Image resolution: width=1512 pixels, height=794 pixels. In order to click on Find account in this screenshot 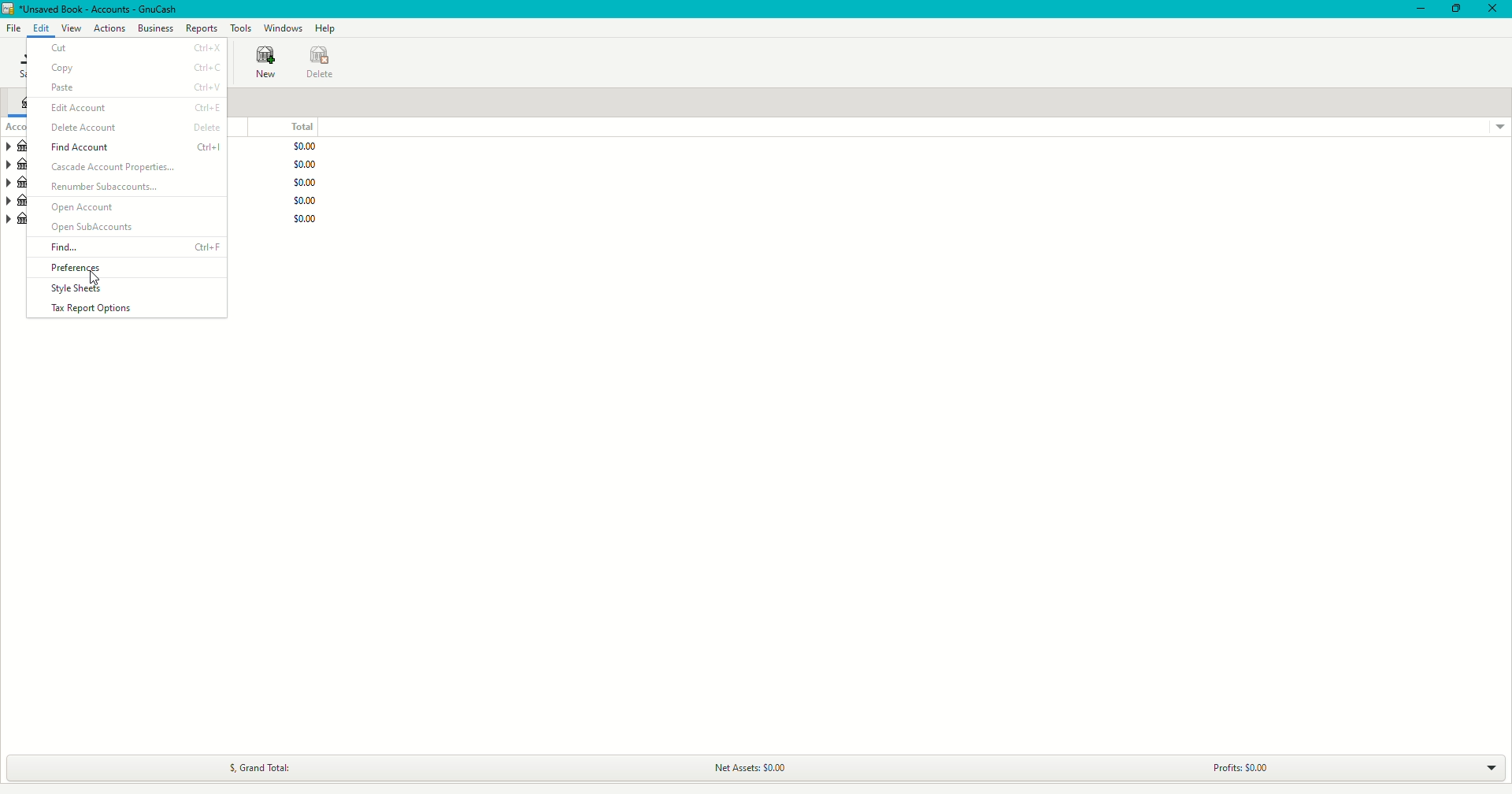, I will do `click(128, 147)`.